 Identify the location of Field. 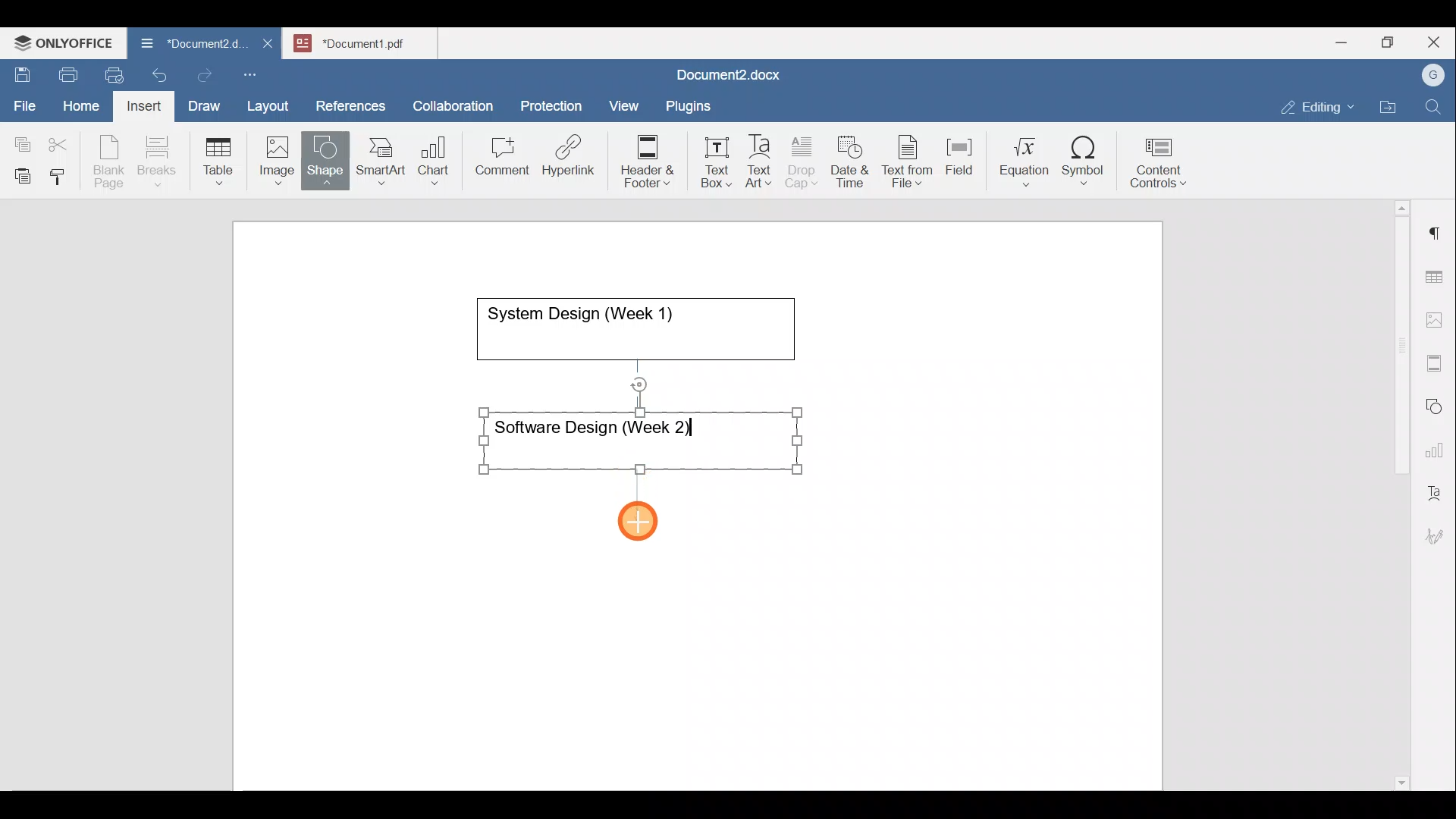
(959, 154).